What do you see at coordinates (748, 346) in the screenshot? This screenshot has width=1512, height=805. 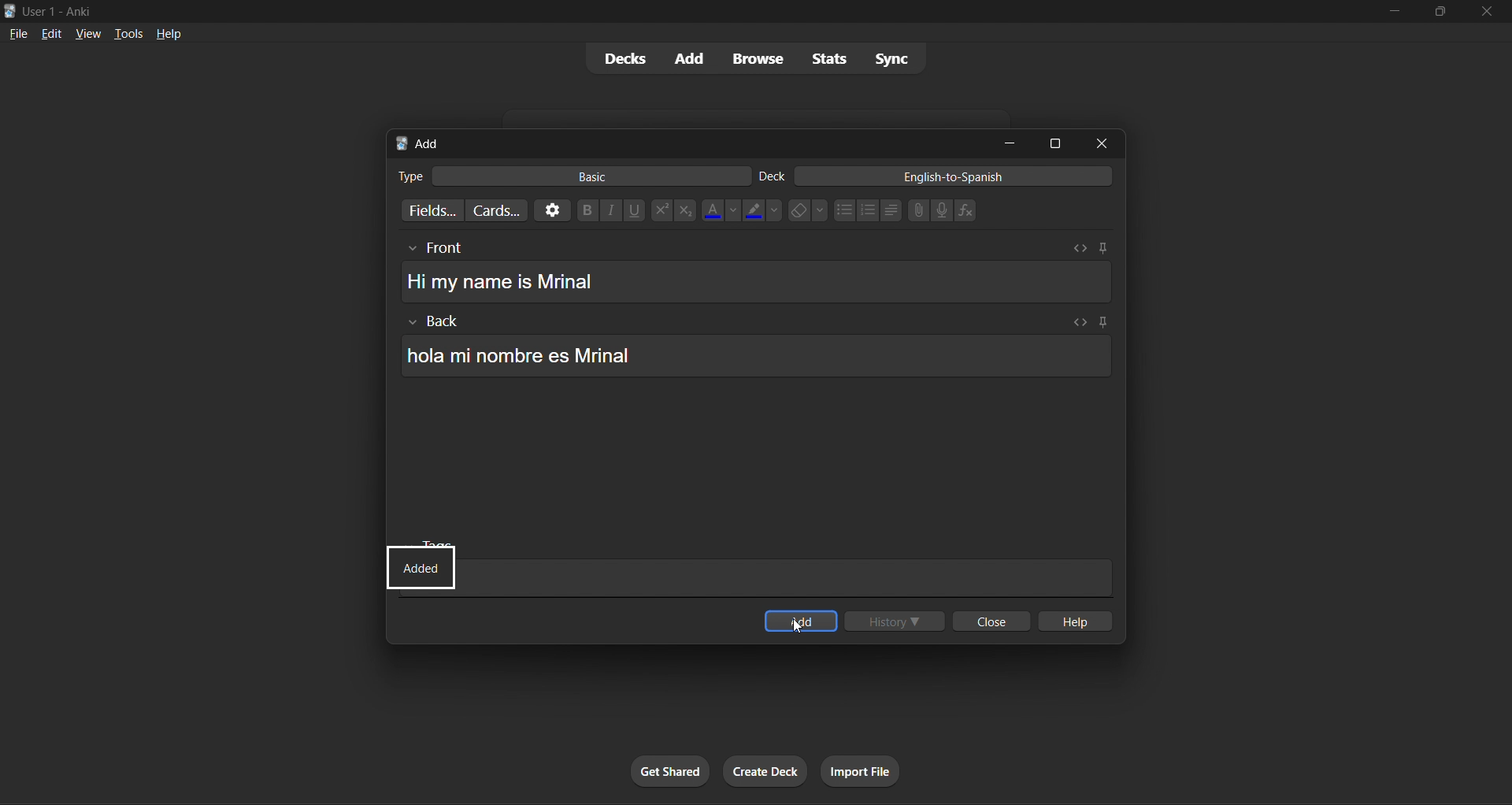 I see `card back spanish text box` at bounding box center [748, 346].